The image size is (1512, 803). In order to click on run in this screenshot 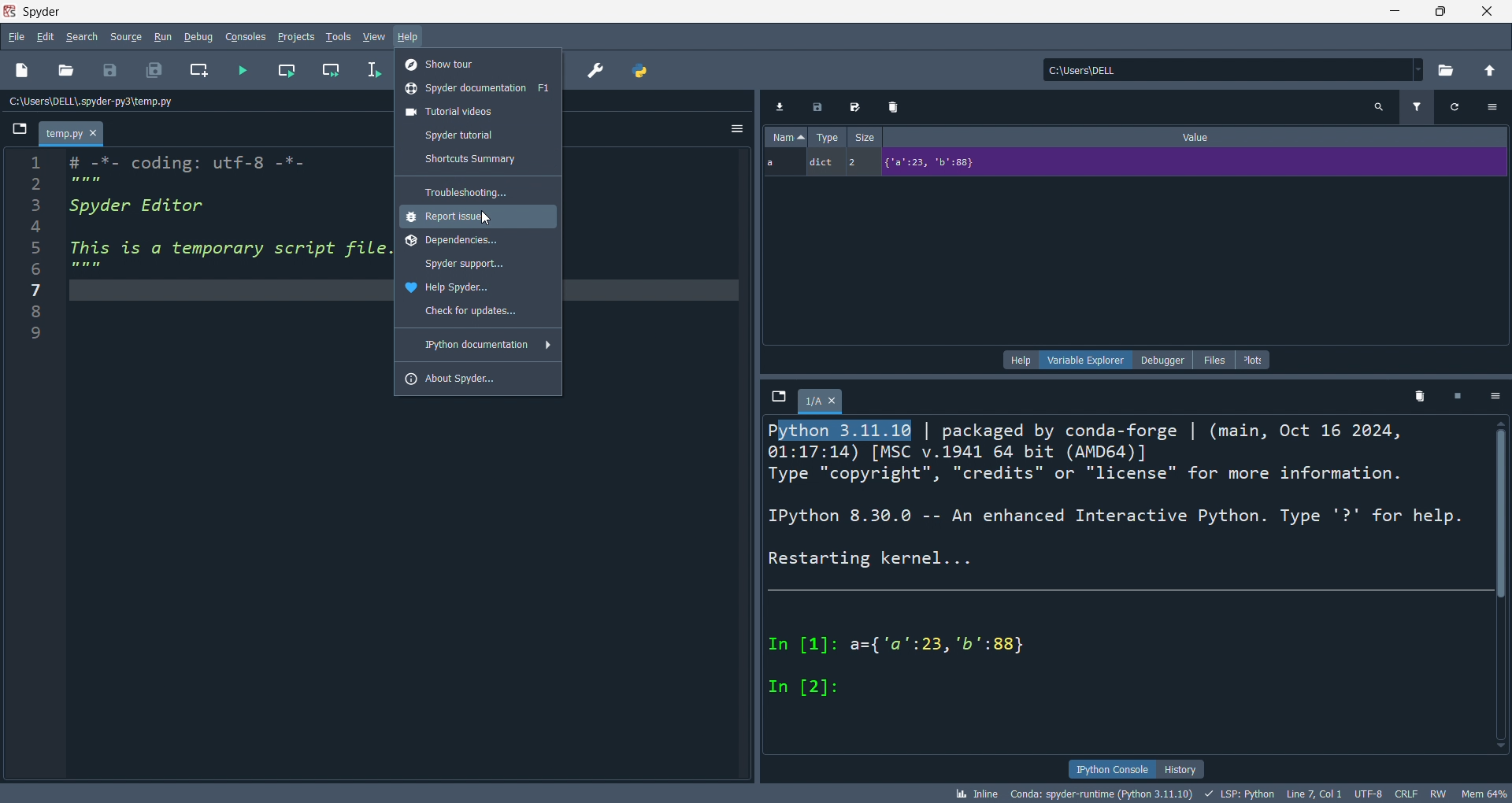, I will do `click(161, 37)`.